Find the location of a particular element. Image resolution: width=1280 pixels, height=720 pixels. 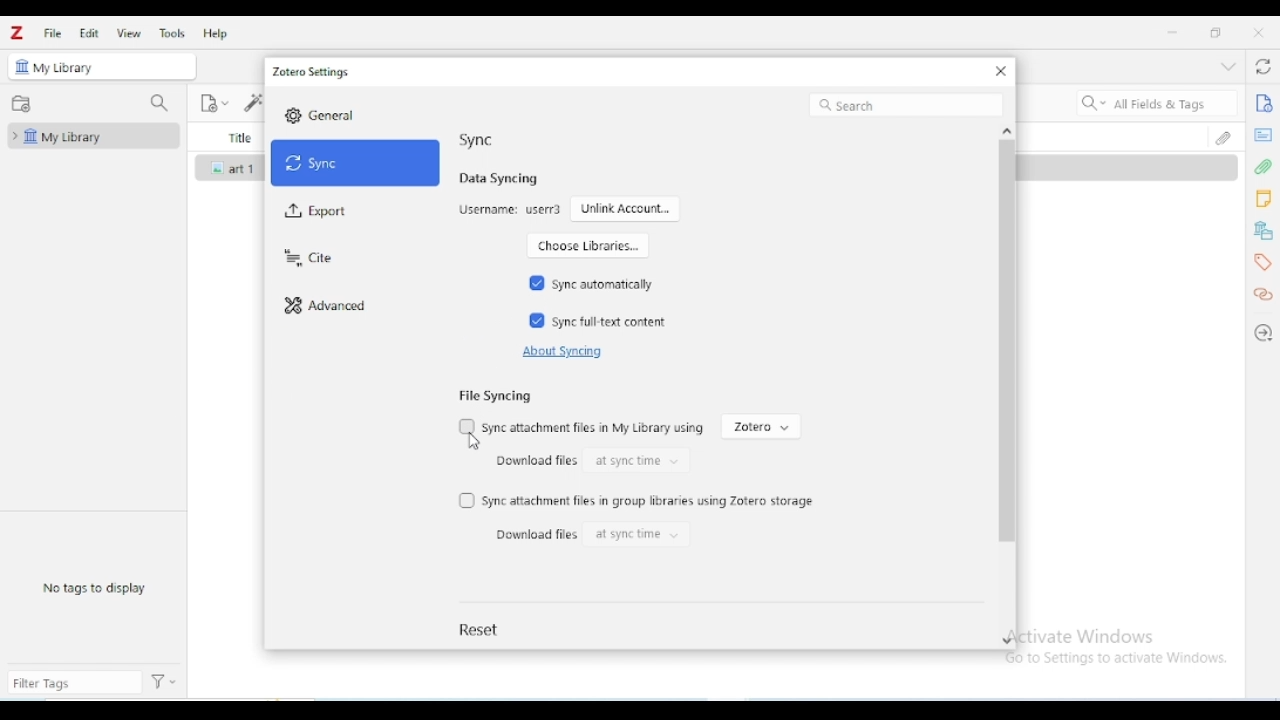

sync automatically is located at coordinates (602, 284).